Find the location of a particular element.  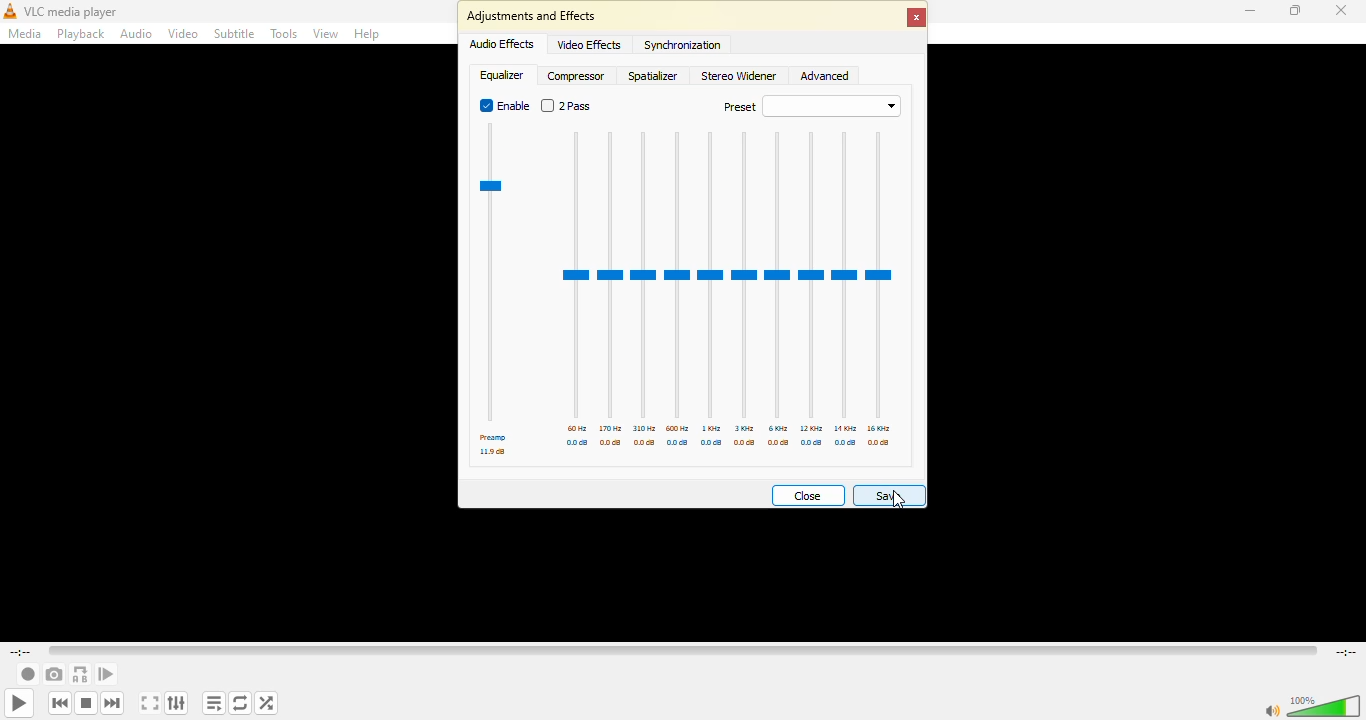

remaining time is located at coordinates (1346, 653).